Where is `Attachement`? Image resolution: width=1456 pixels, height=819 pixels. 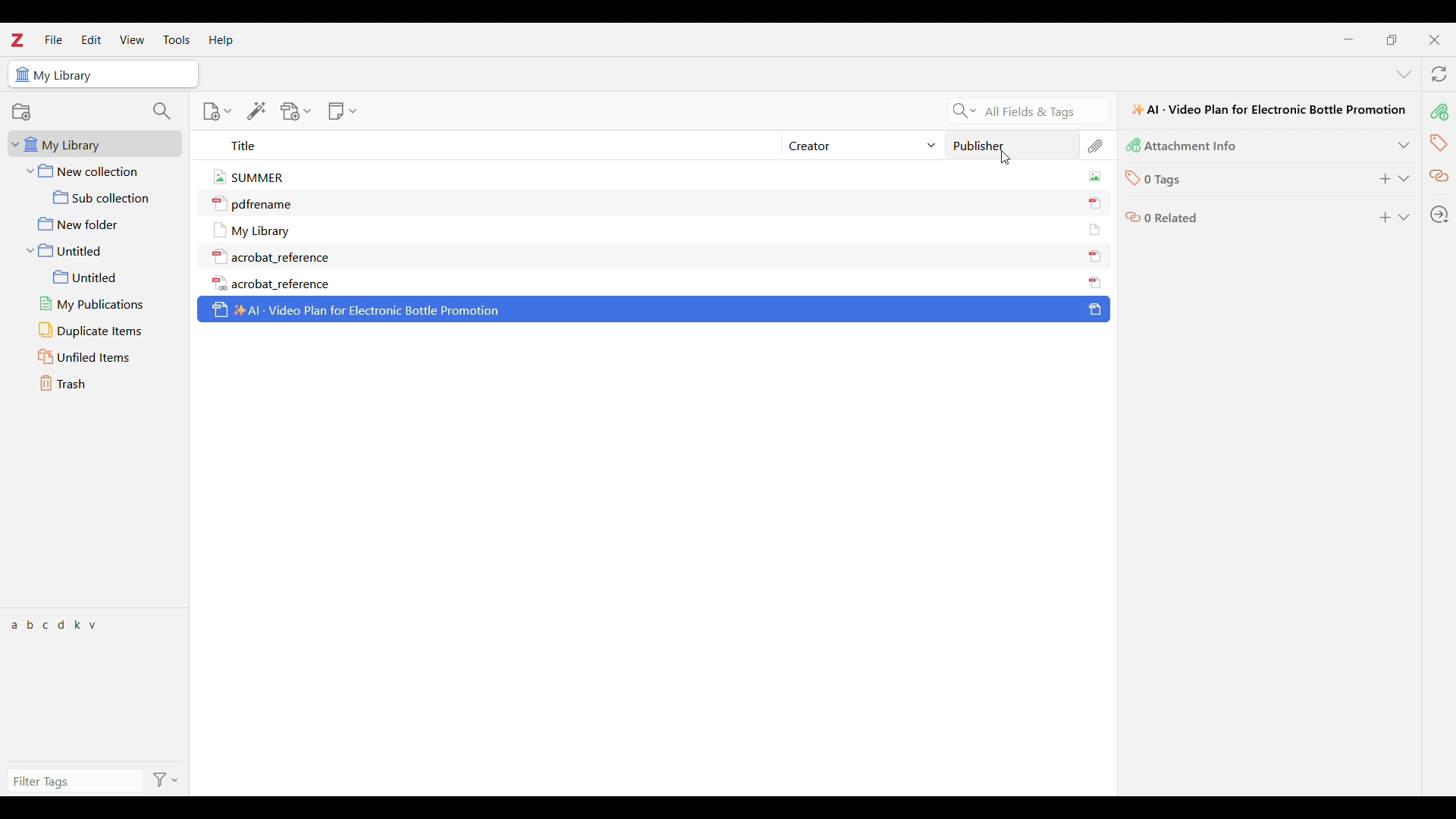 Attachement is located at coordinates (1097, 145).